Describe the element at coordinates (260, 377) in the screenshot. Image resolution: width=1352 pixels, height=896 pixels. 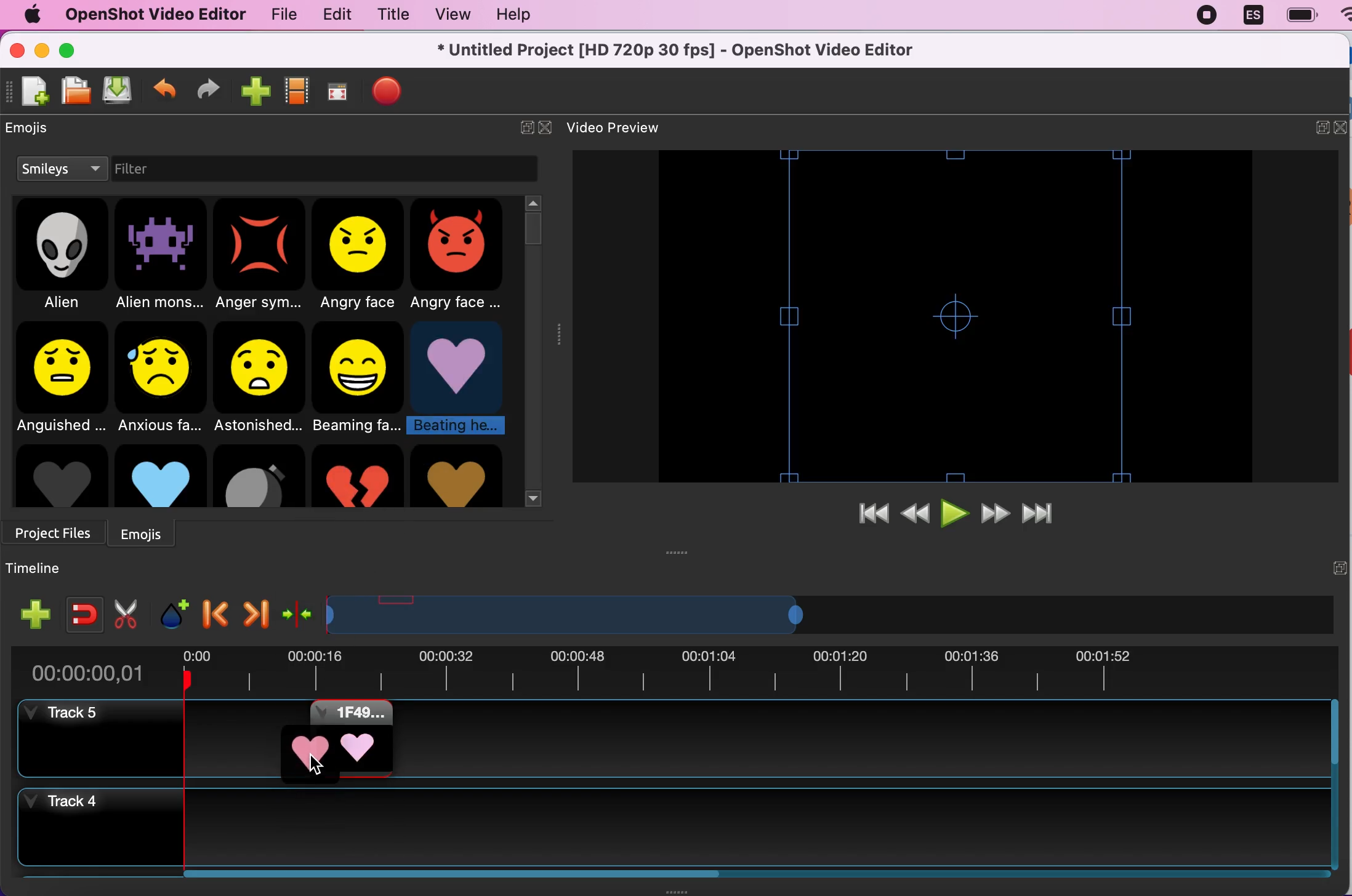
I see `astonished` at that location.